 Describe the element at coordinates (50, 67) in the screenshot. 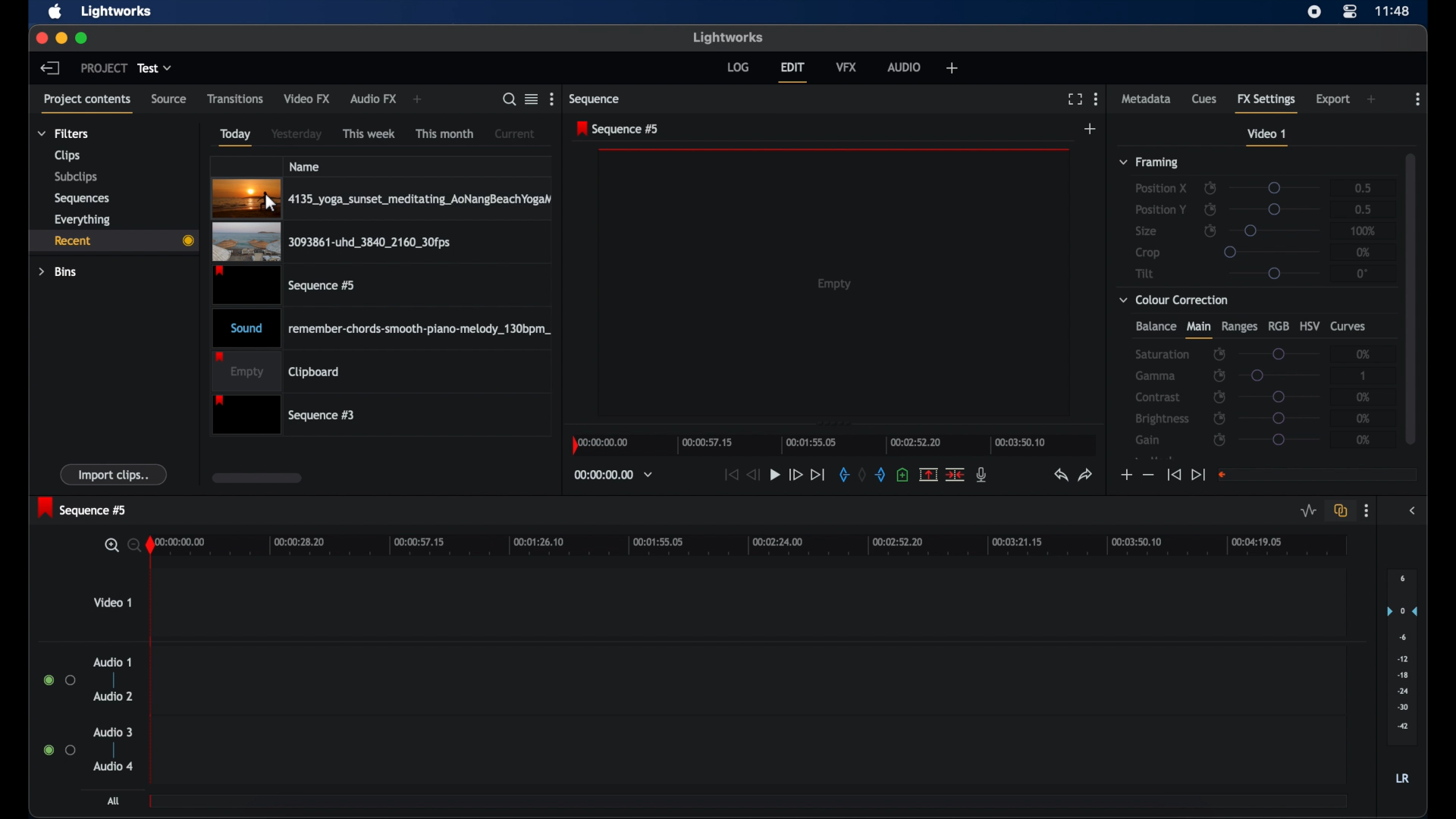

I see `back` at that location.